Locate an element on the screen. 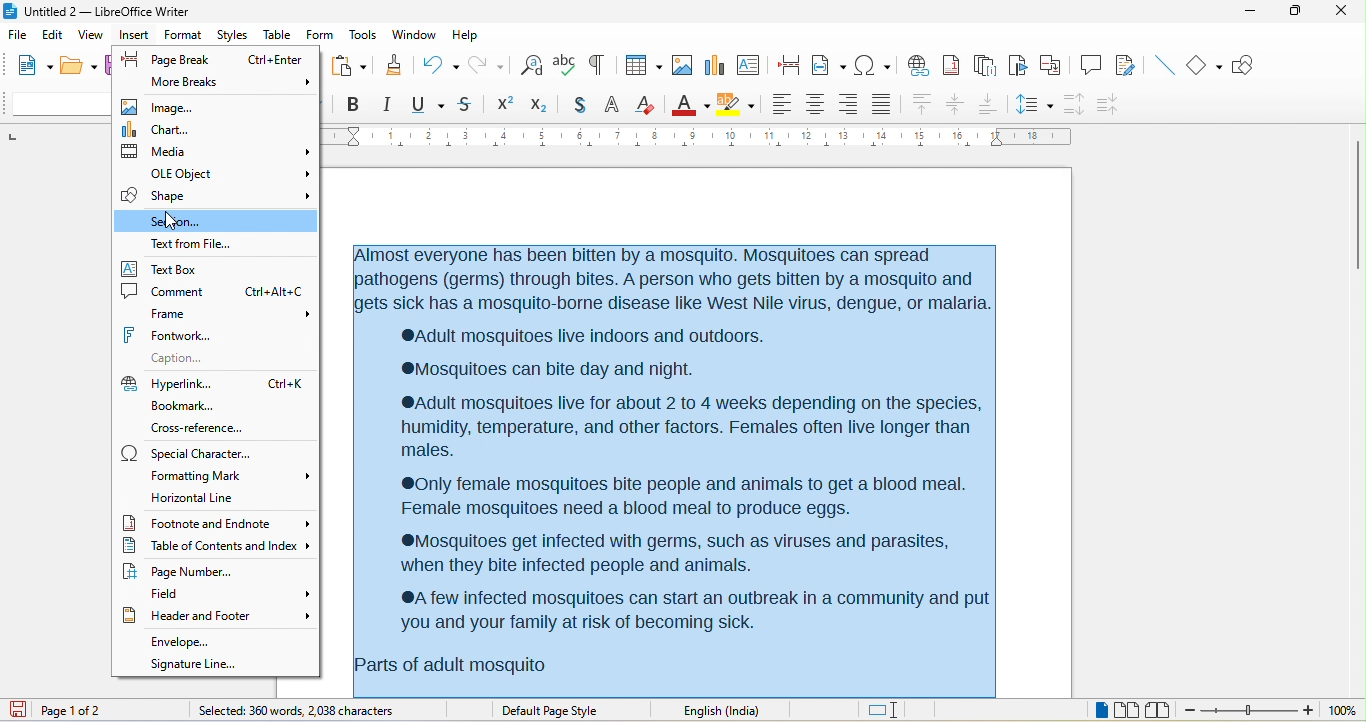  hyperlink is located at coordinates (217, 382).